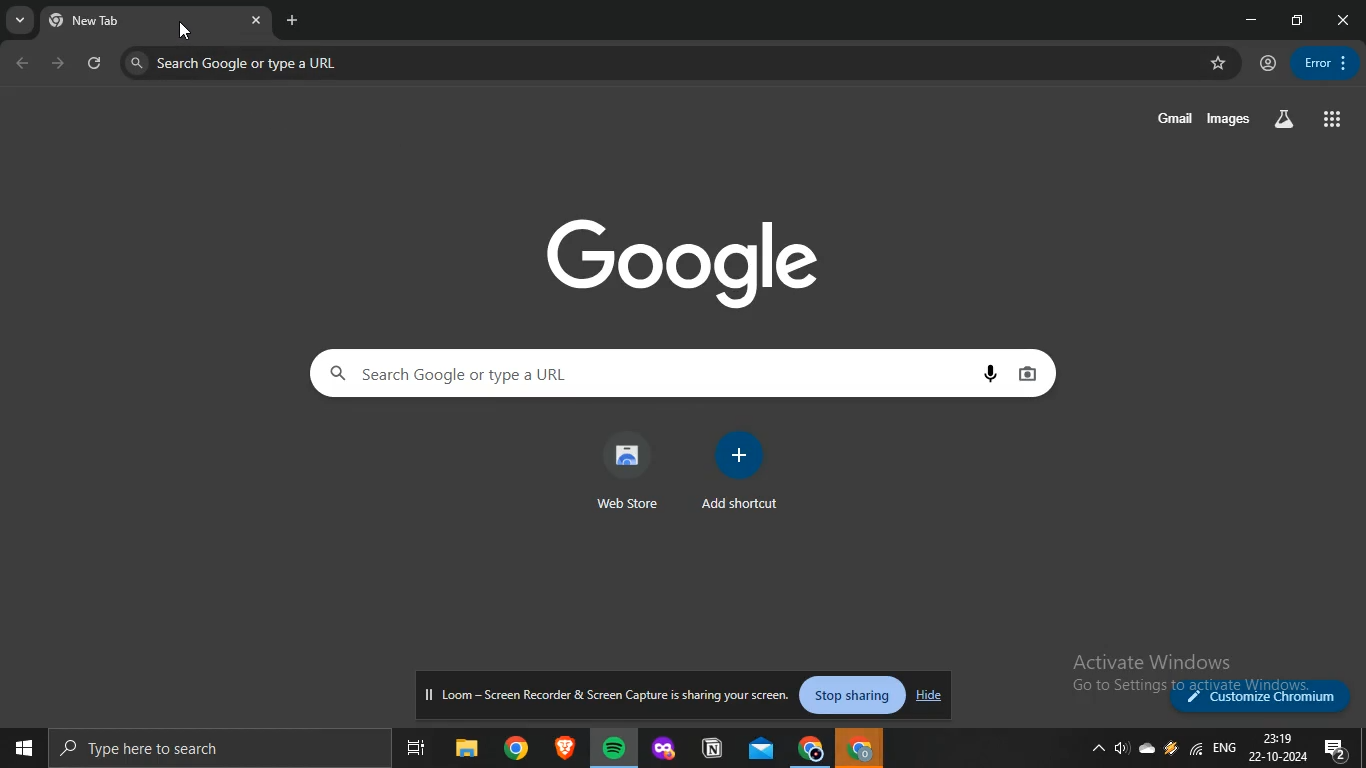 The width and height of the screenshot is (1366, 768). I want to click on search tabs, so click(20, 21).